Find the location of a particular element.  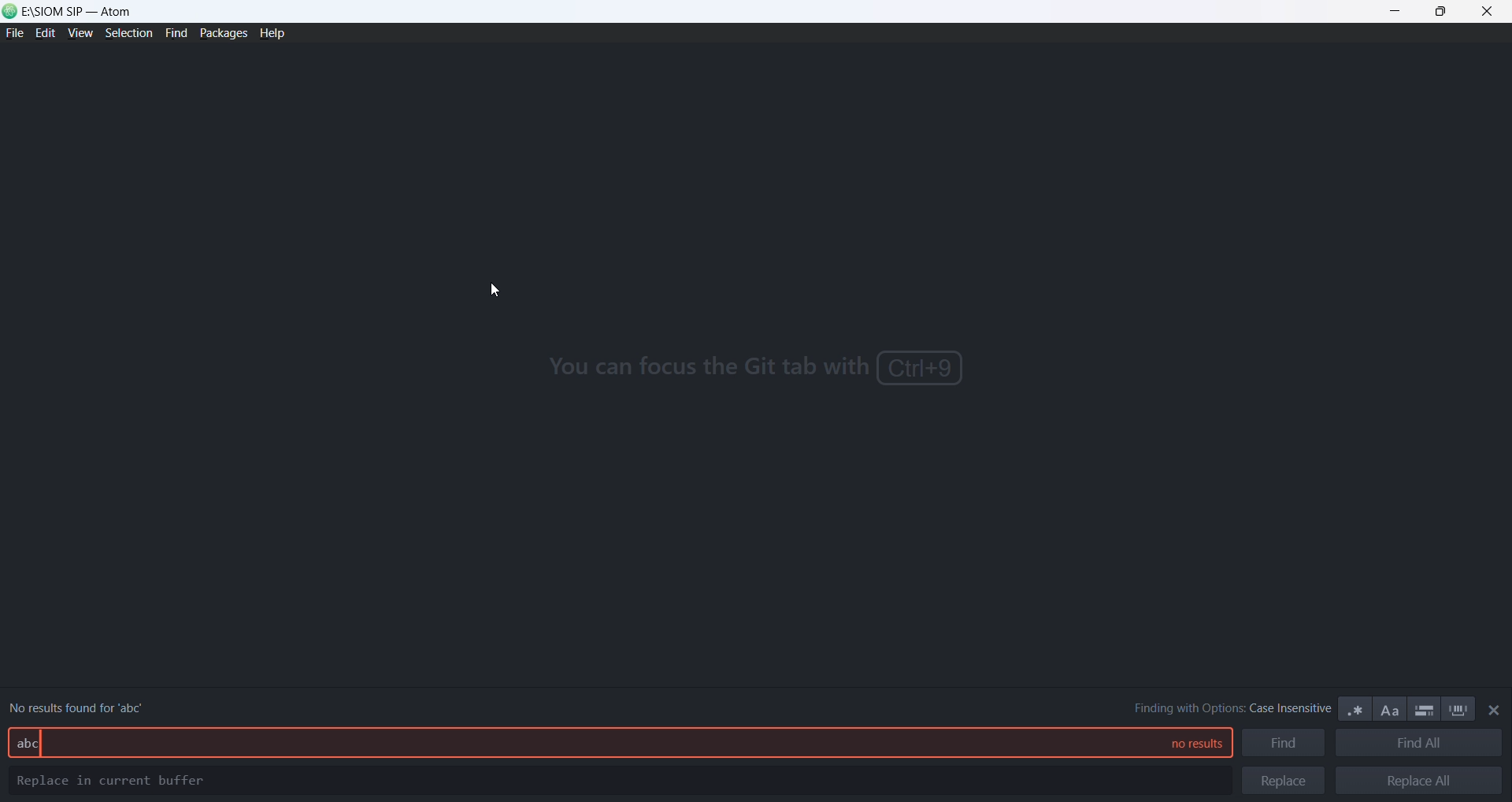

find is located at coordinates (1284, 744).